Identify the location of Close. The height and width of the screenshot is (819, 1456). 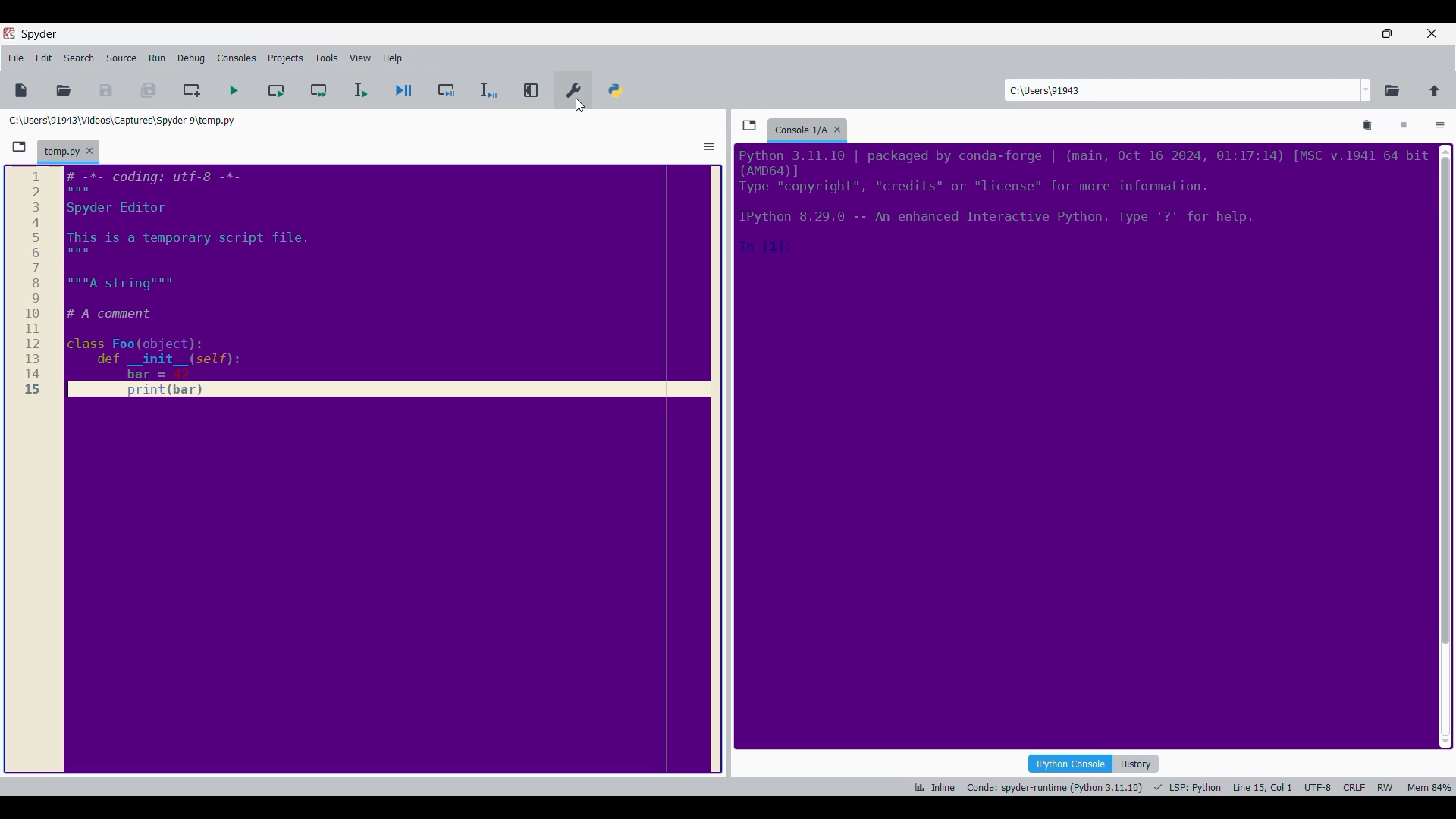
(837, 129).